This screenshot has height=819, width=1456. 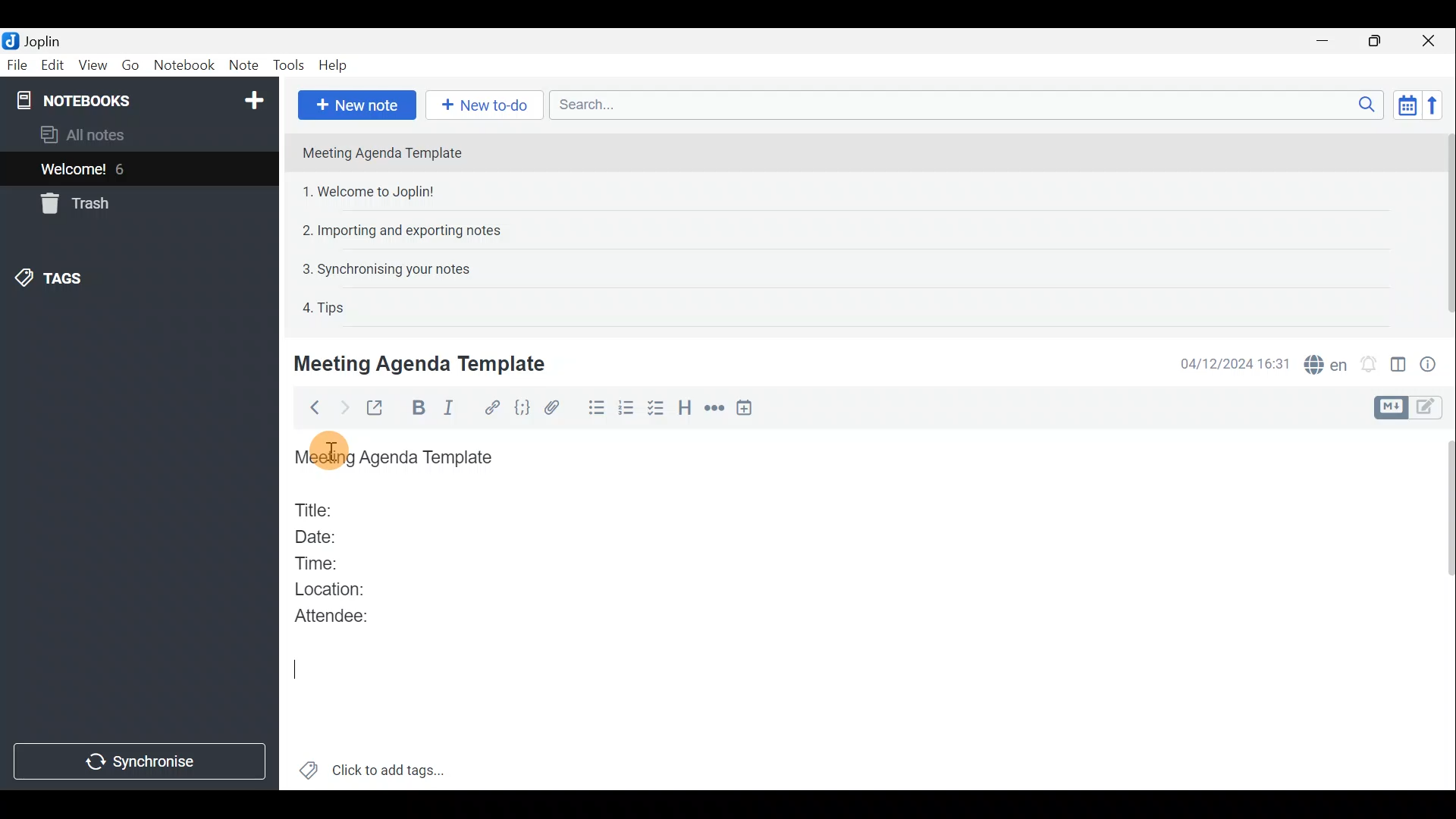 I want to click on Toggle editors, so click(x=1389, y=408).